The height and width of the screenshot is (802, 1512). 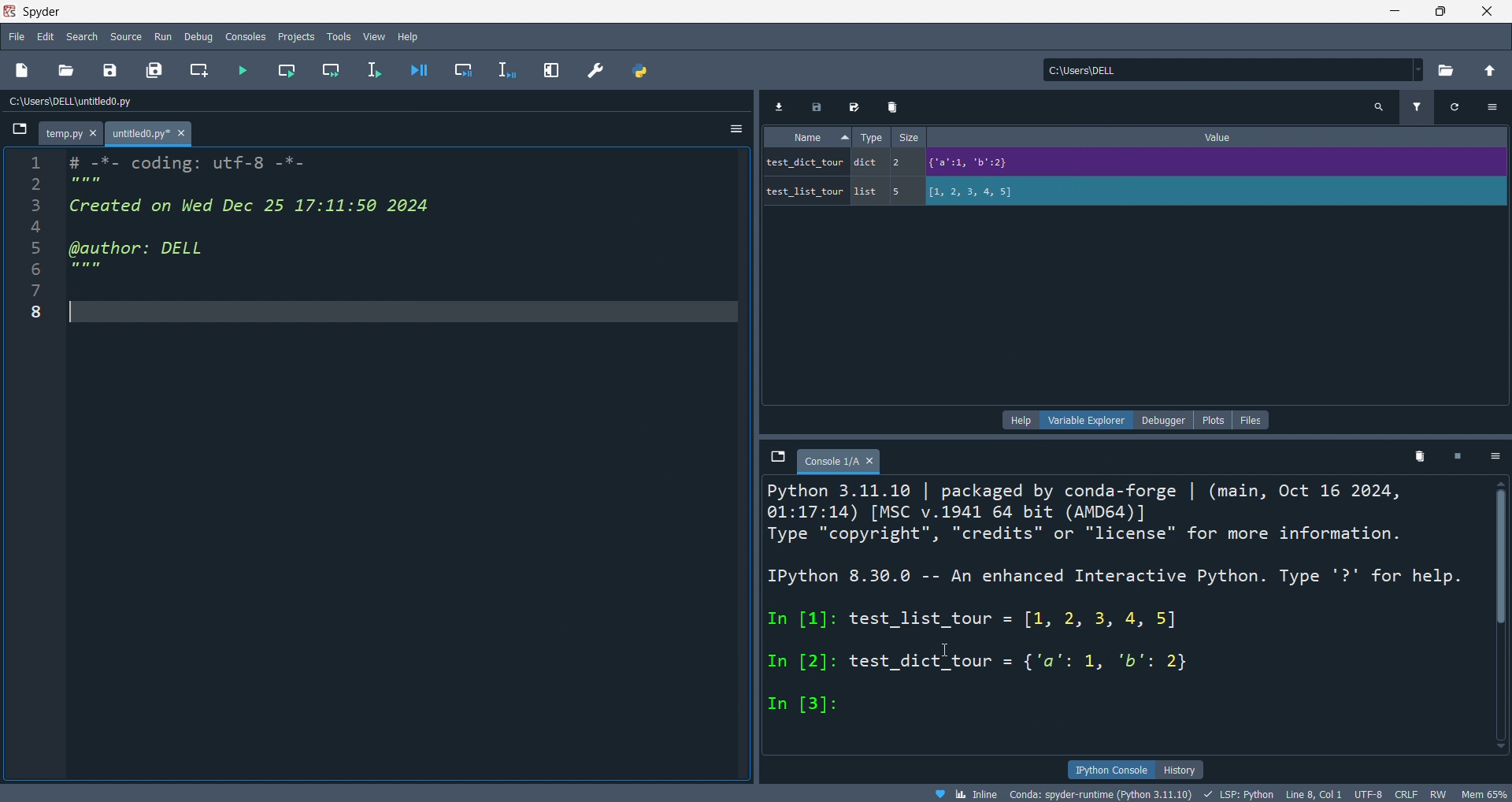 I want to click on close, so click(x=1488, y=13).